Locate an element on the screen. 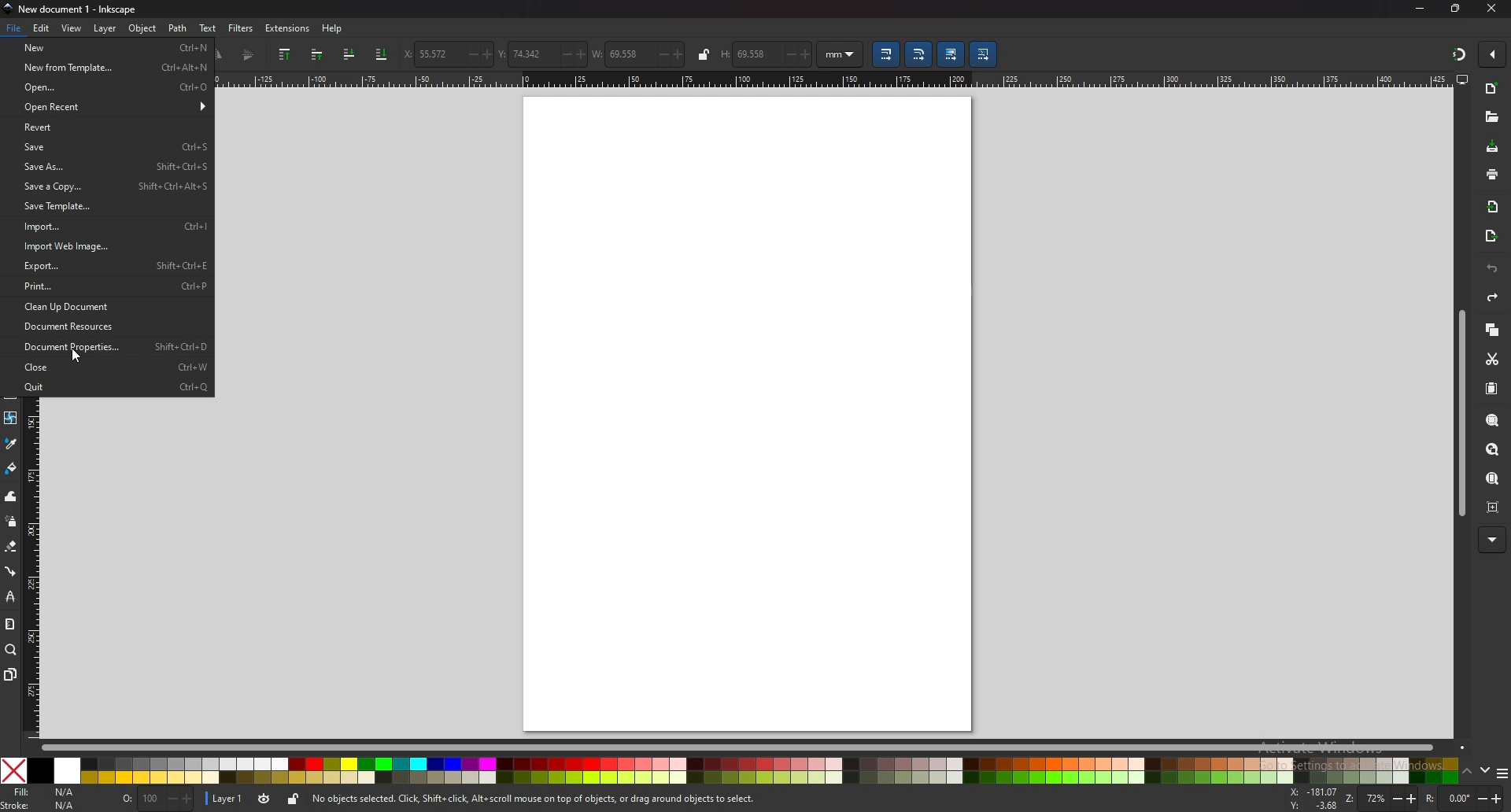 The height and width of the screenshot is (812, 1511). Layer is located at coordinates (105, 30).